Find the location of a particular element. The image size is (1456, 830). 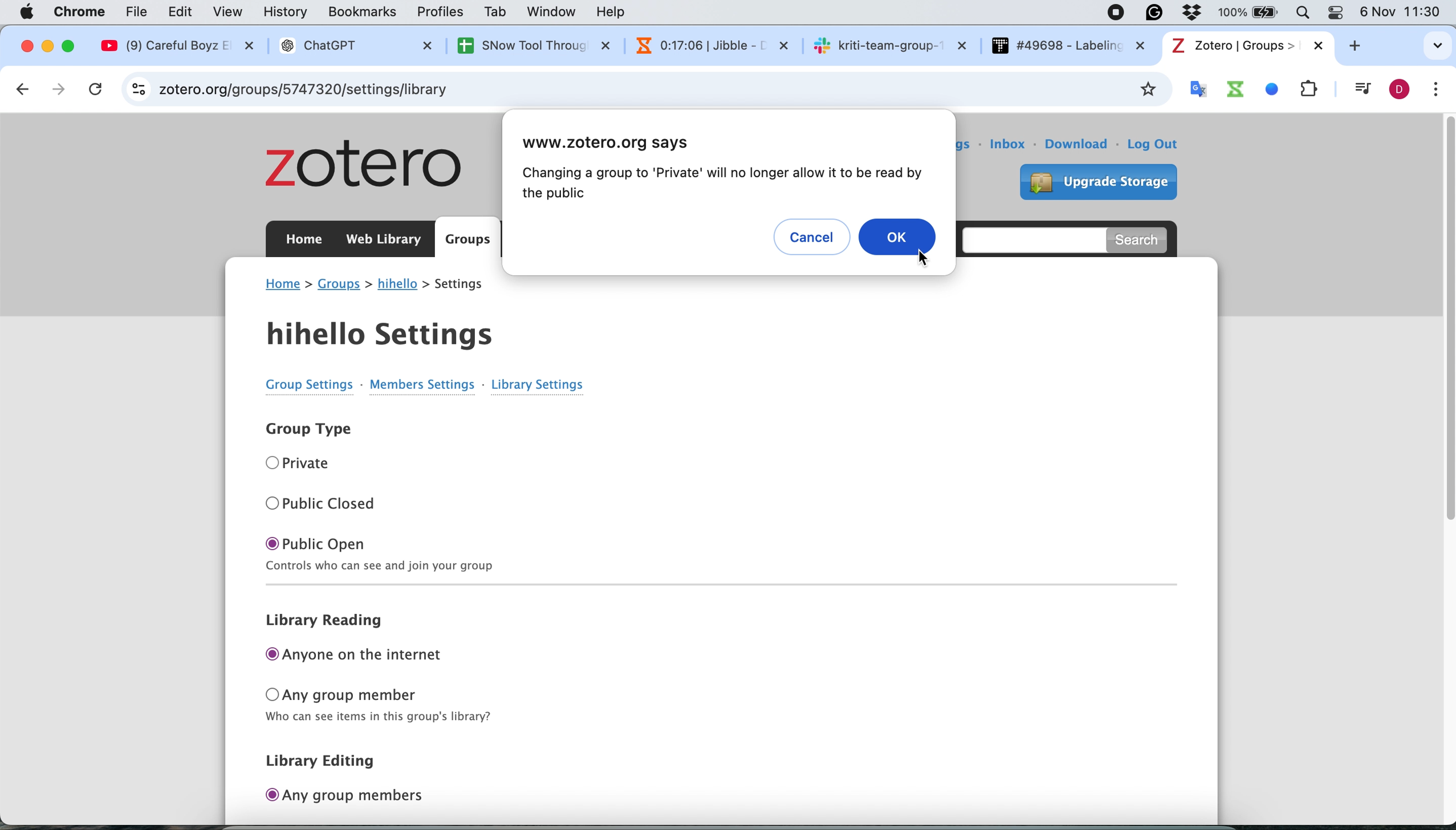

customise is located at coordinates (1436, 90).